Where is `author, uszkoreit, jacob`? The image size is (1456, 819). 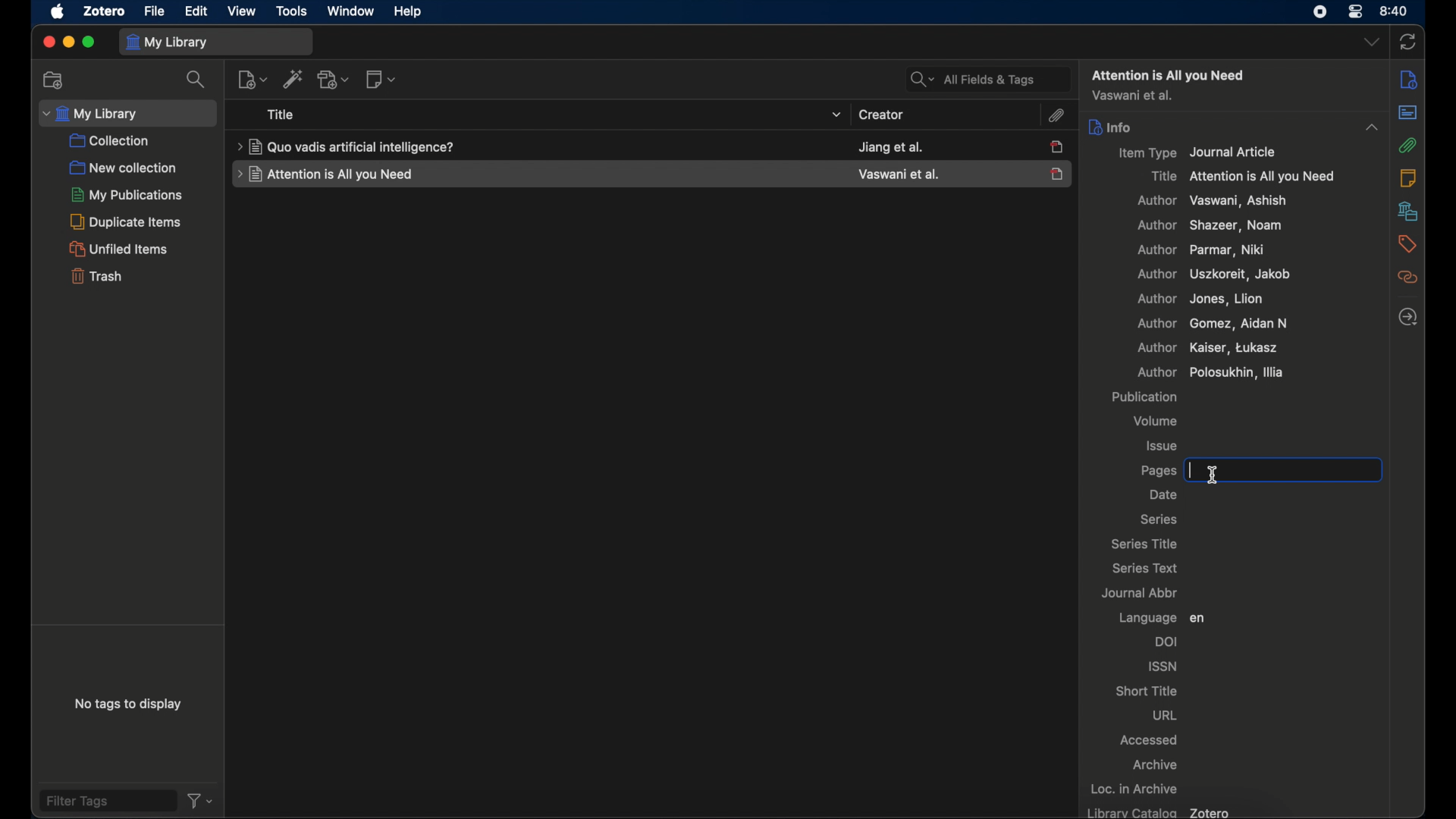
author, uszkoreit, jacob is located at coordinates (1217, 275).